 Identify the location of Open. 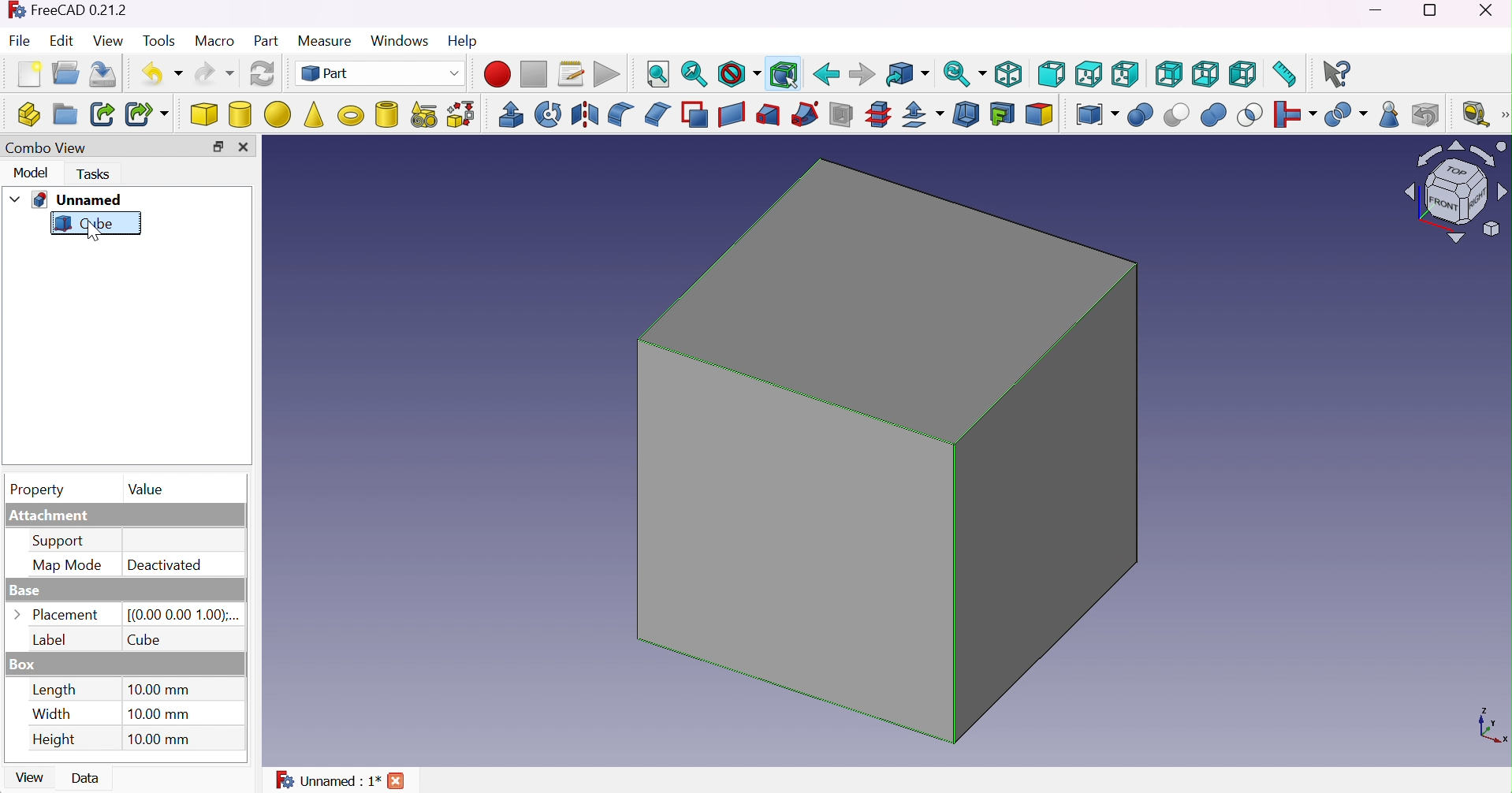
(65, 73).